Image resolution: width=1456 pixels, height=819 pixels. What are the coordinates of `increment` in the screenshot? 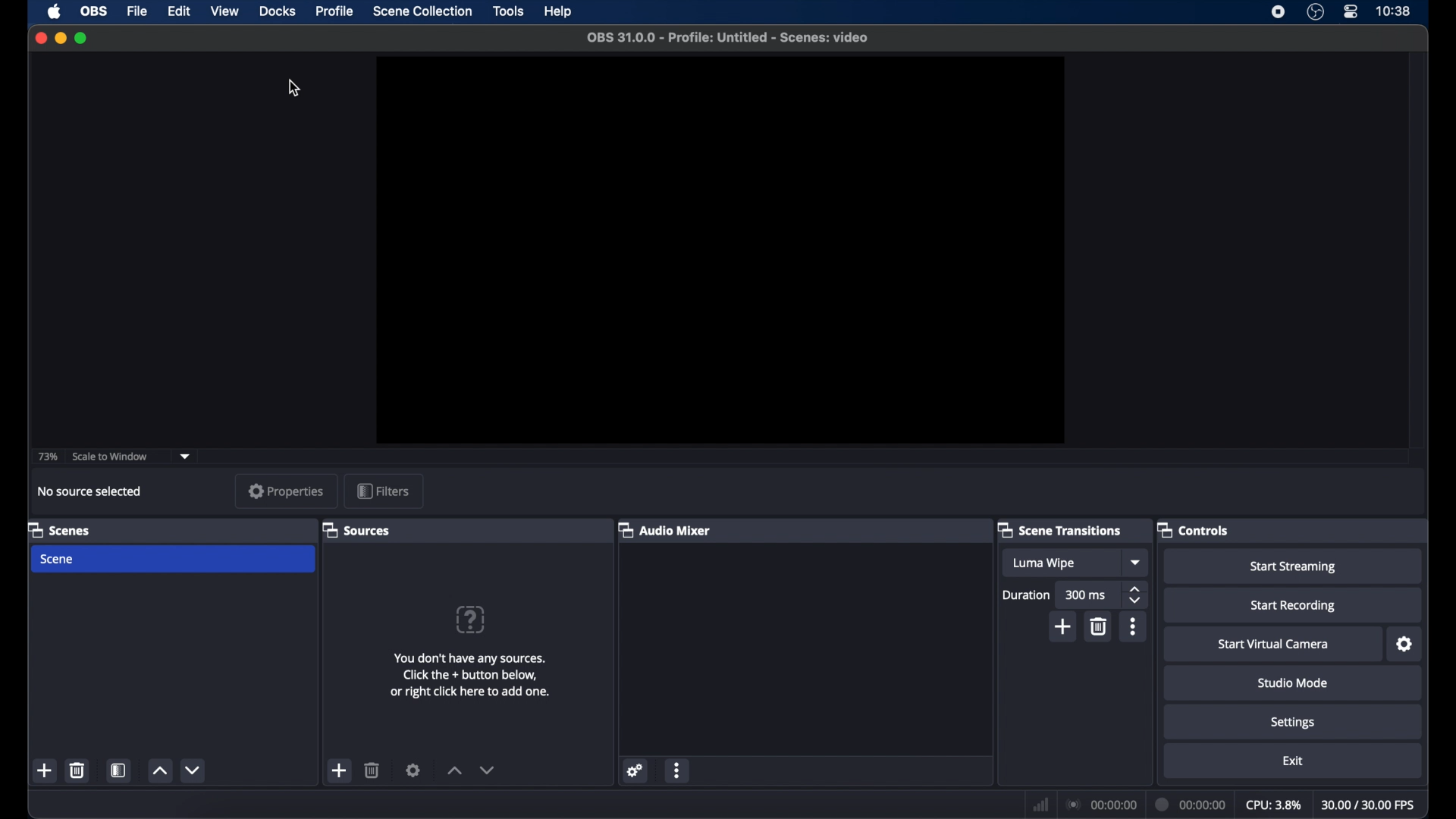 It's located at (455, 771).